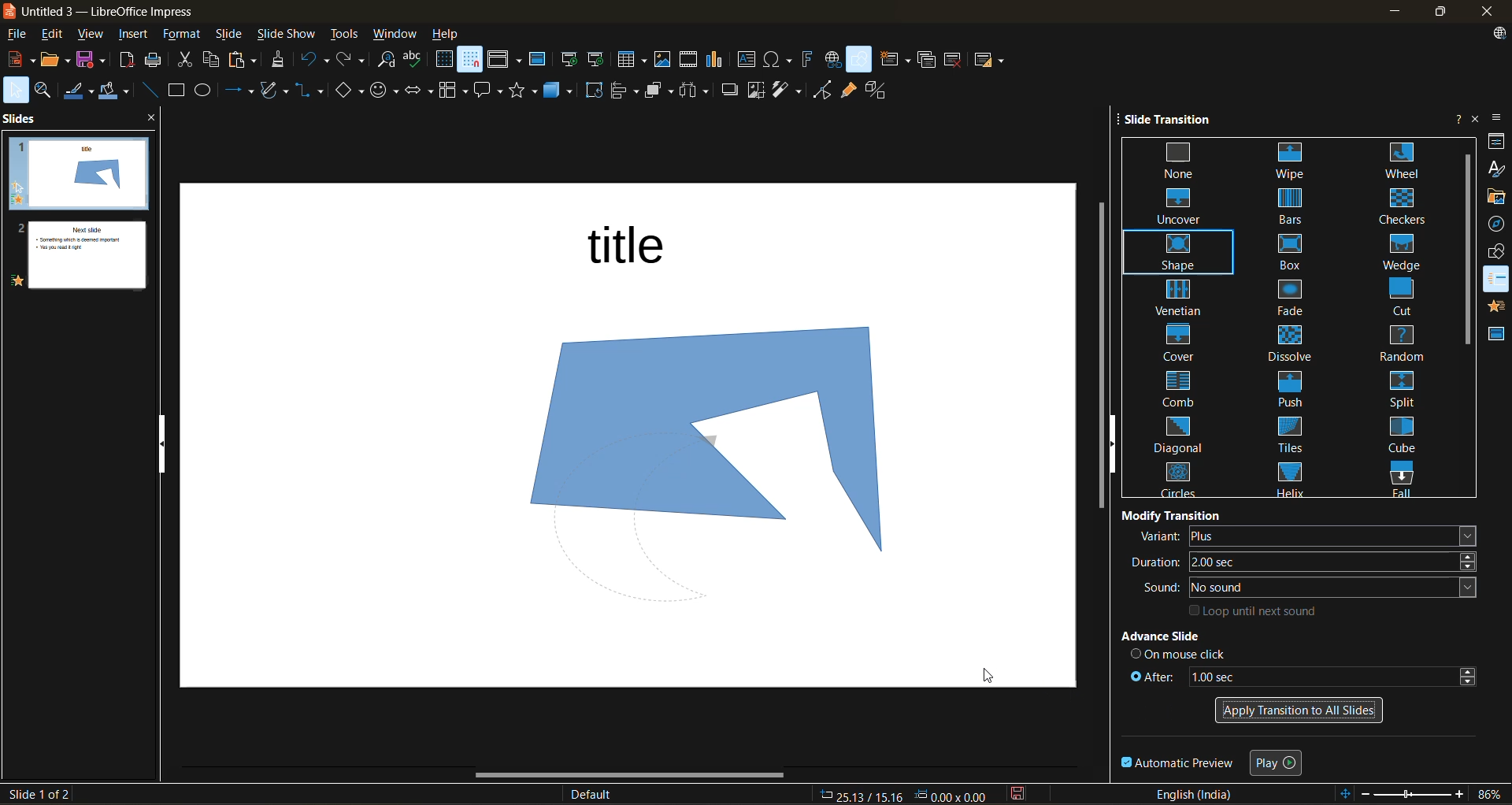  What do you see at coordinates (444, 60) in the screenshot?
I see `display grid` at bounding box center [444, 60].